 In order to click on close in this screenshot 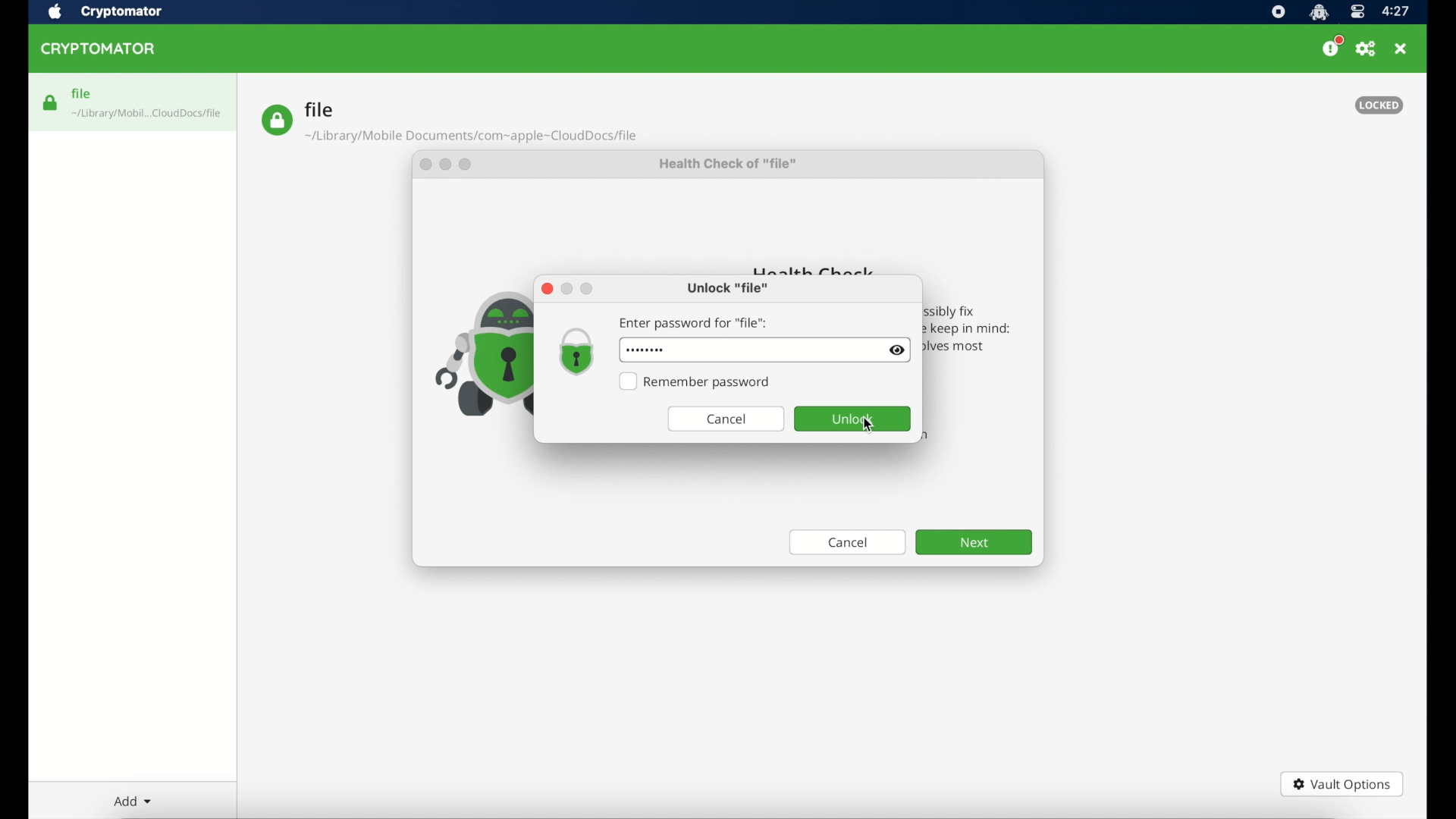, I will do `click(545, 289)`.